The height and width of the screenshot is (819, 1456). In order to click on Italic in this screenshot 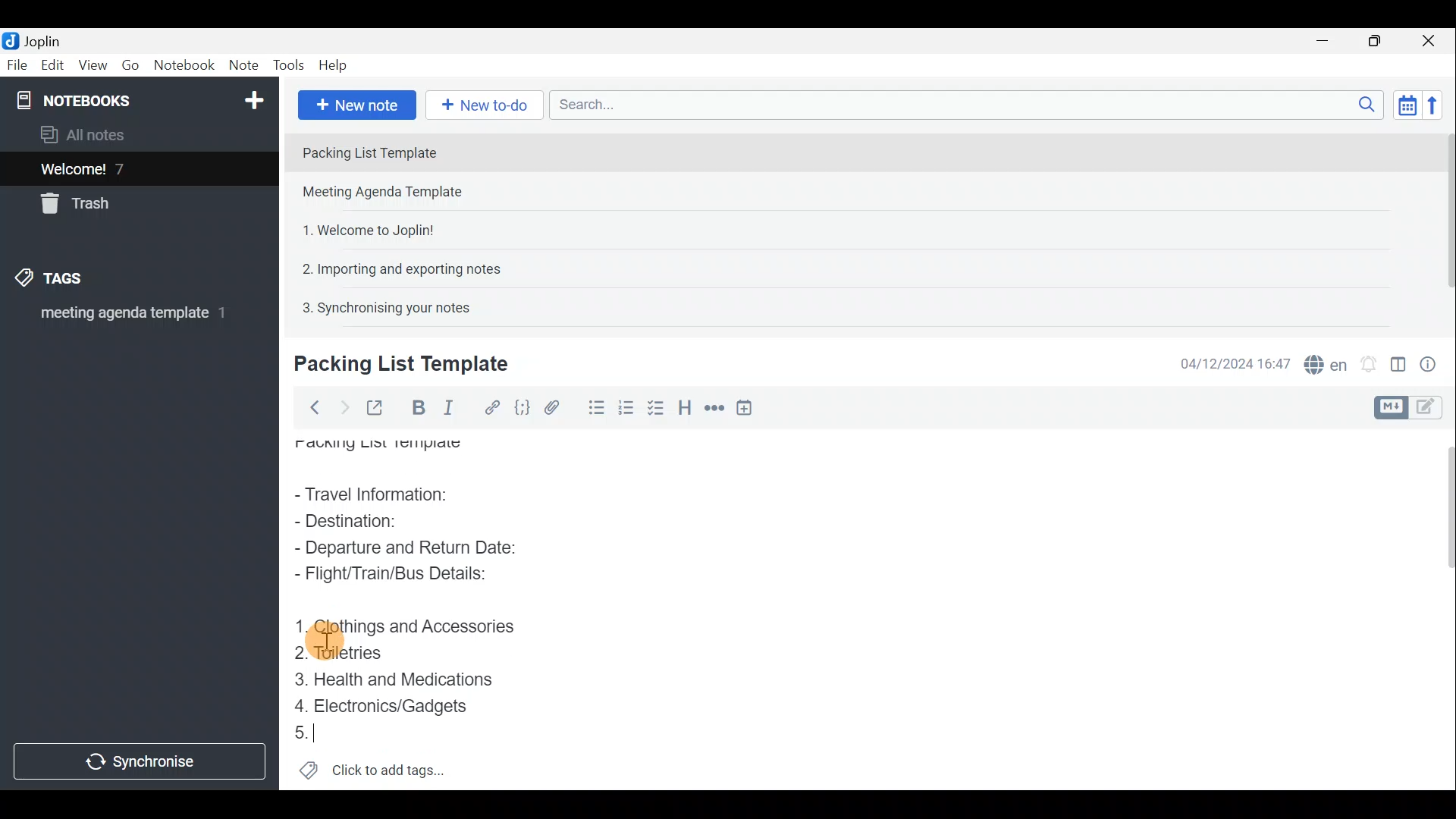, I will do `click(454, 407)`.